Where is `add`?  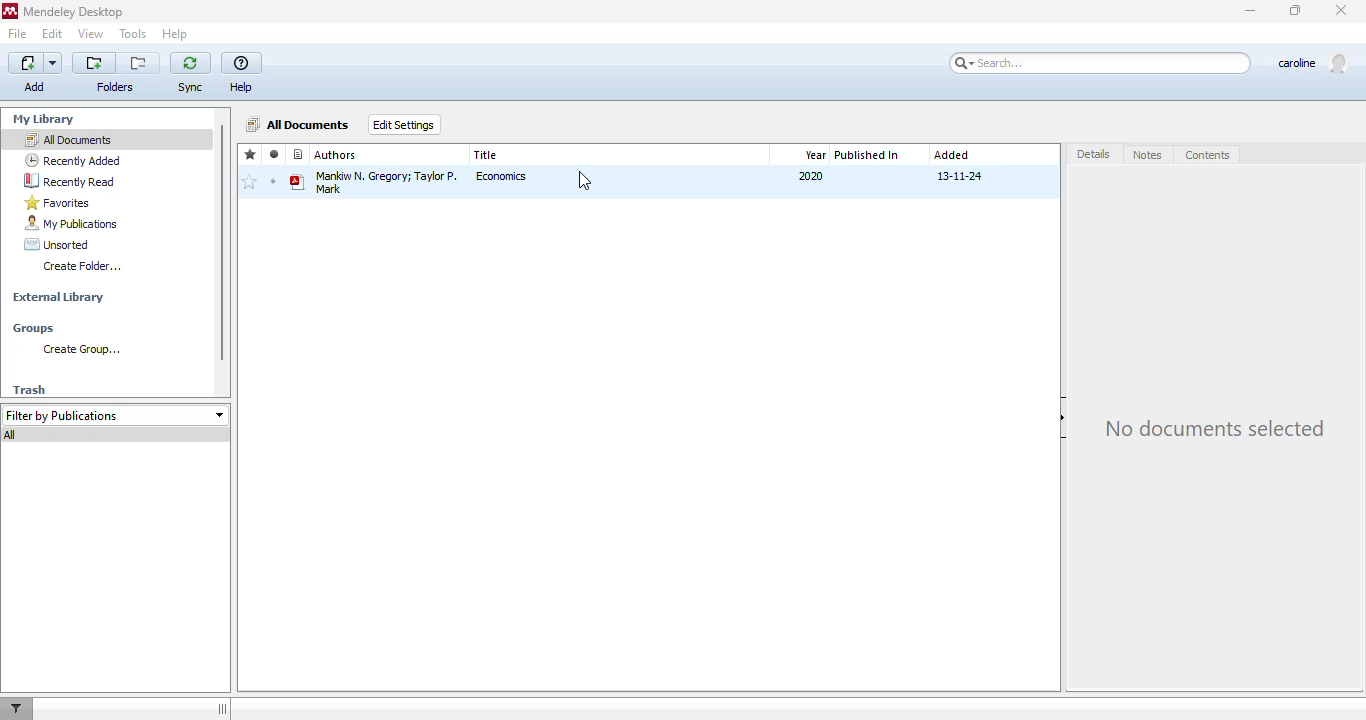
add is located at coordinates (35, 86).